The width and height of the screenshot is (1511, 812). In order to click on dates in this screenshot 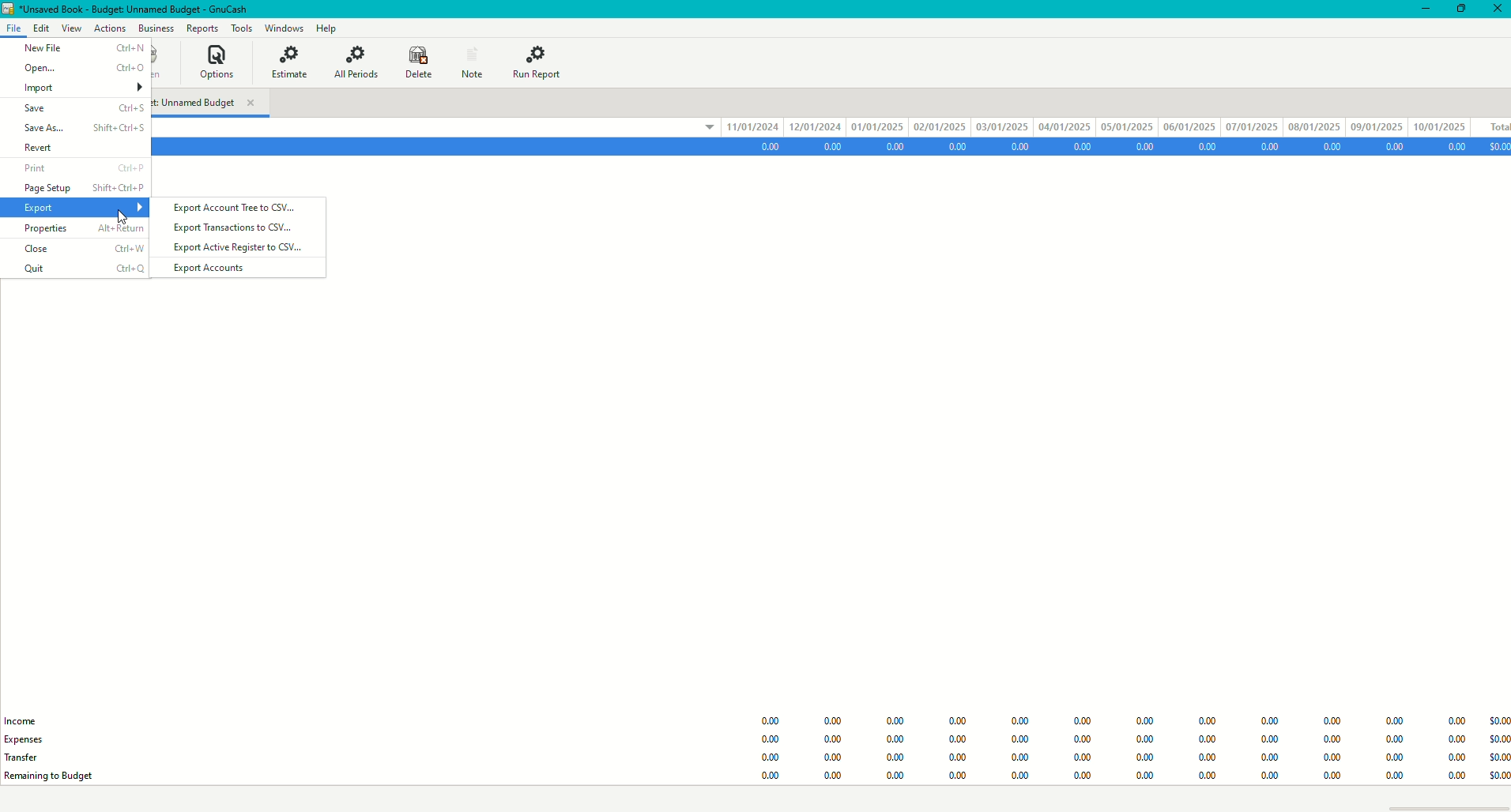, I will do `click(1100, 125)`.